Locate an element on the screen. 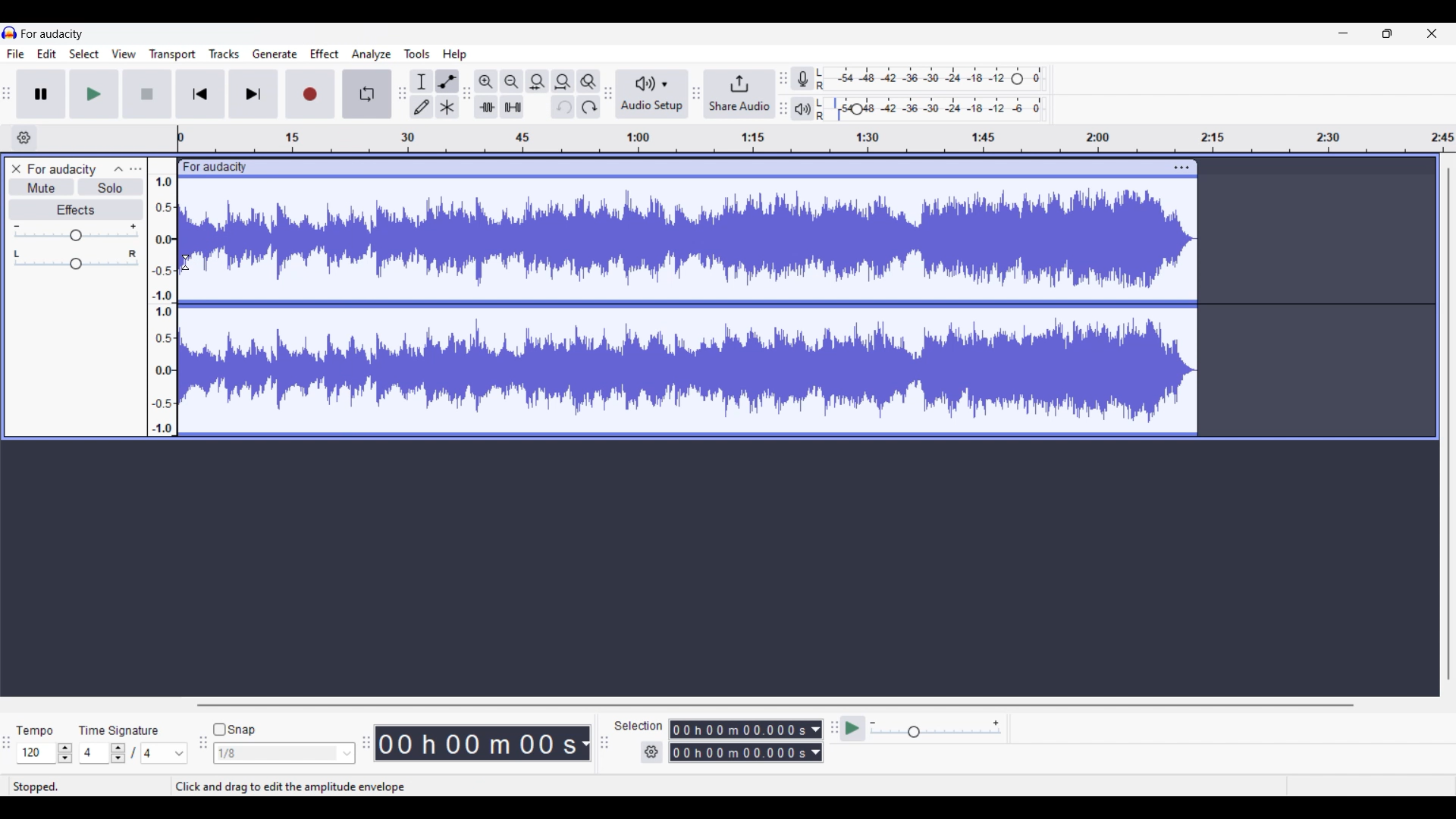 This screenshot has width=1456, height=819. Track highlighted due to Envelop tool is located at coordinates (692, 306).